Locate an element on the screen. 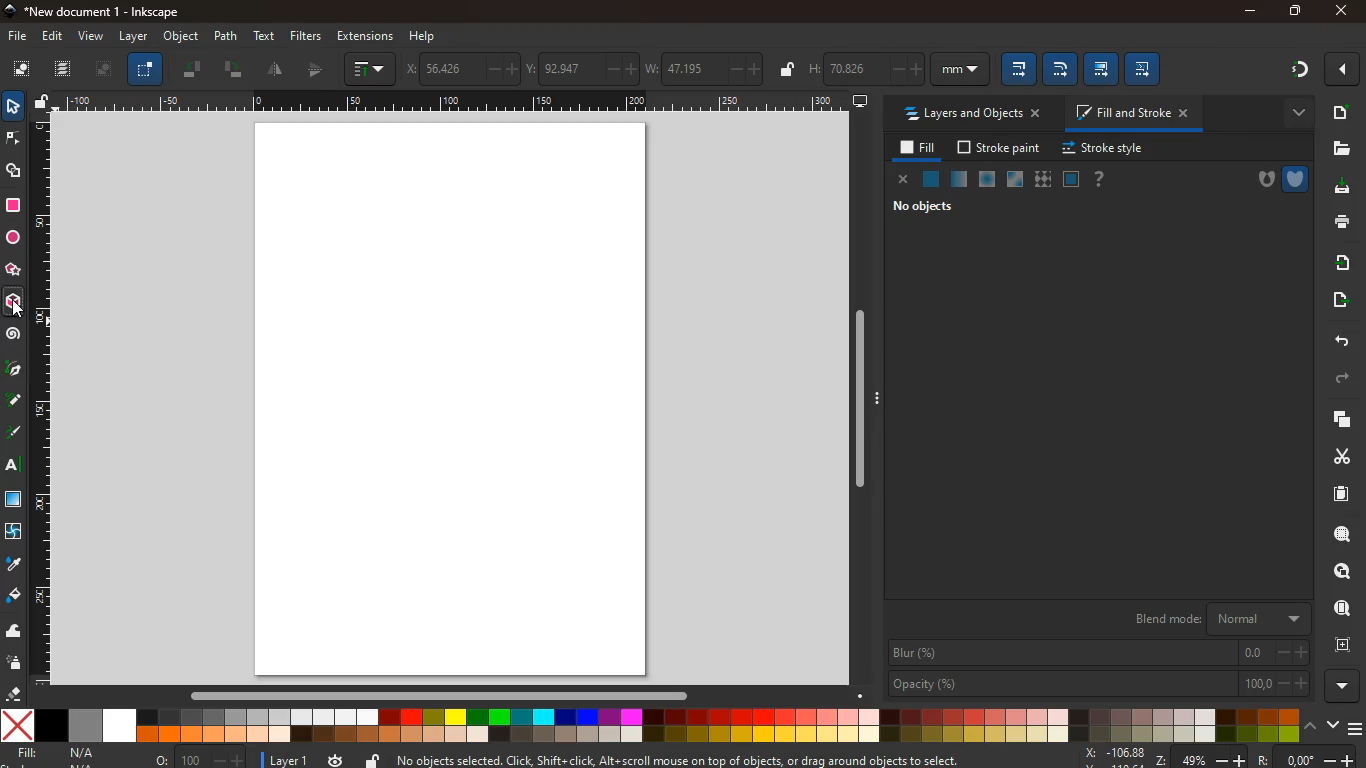 The width and height of the screenshot is (1366, 768). spray is located at coordinates (15, 664).